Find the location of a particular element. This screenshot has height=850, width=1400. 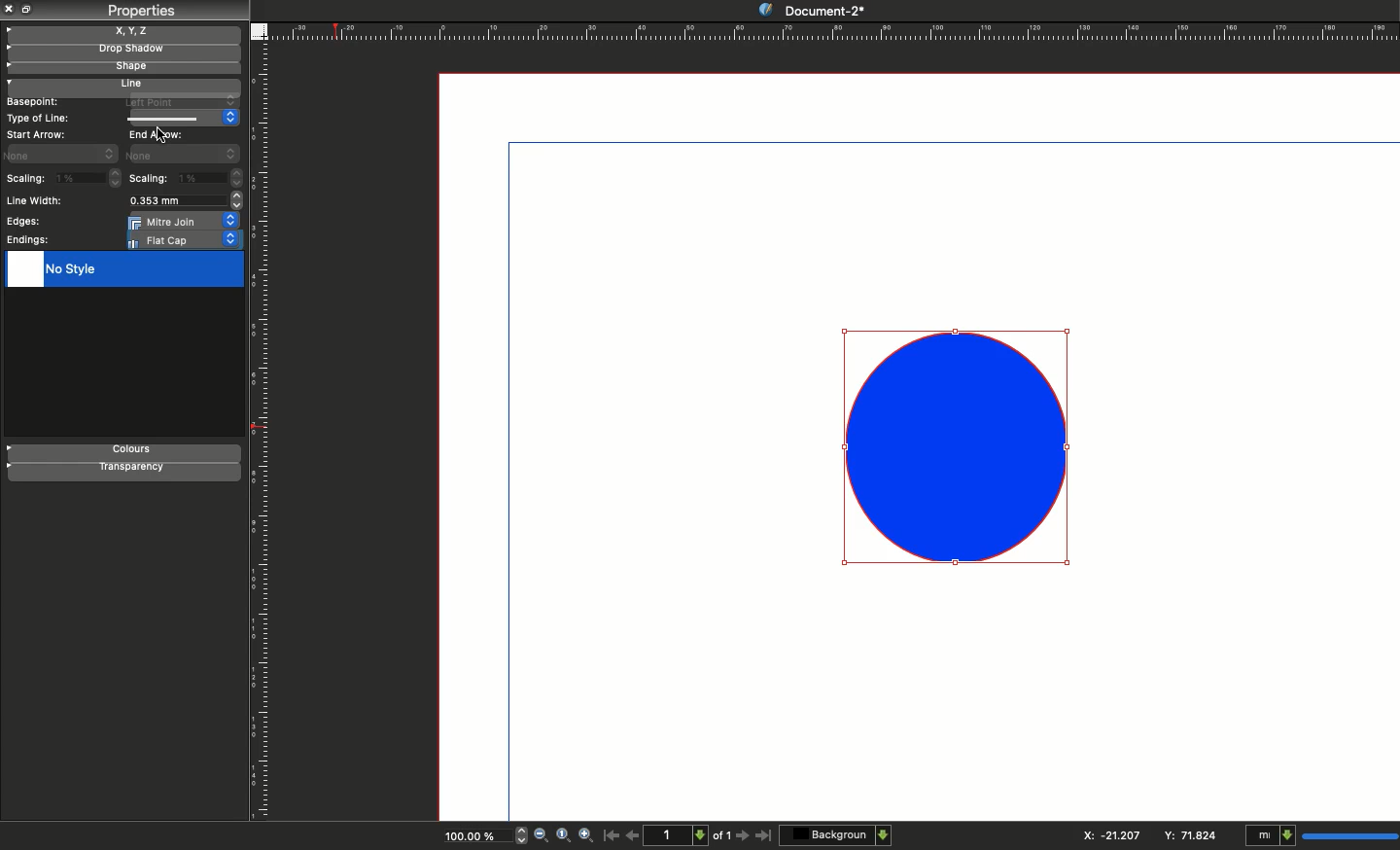

1 is located at coordinates (679, 834).